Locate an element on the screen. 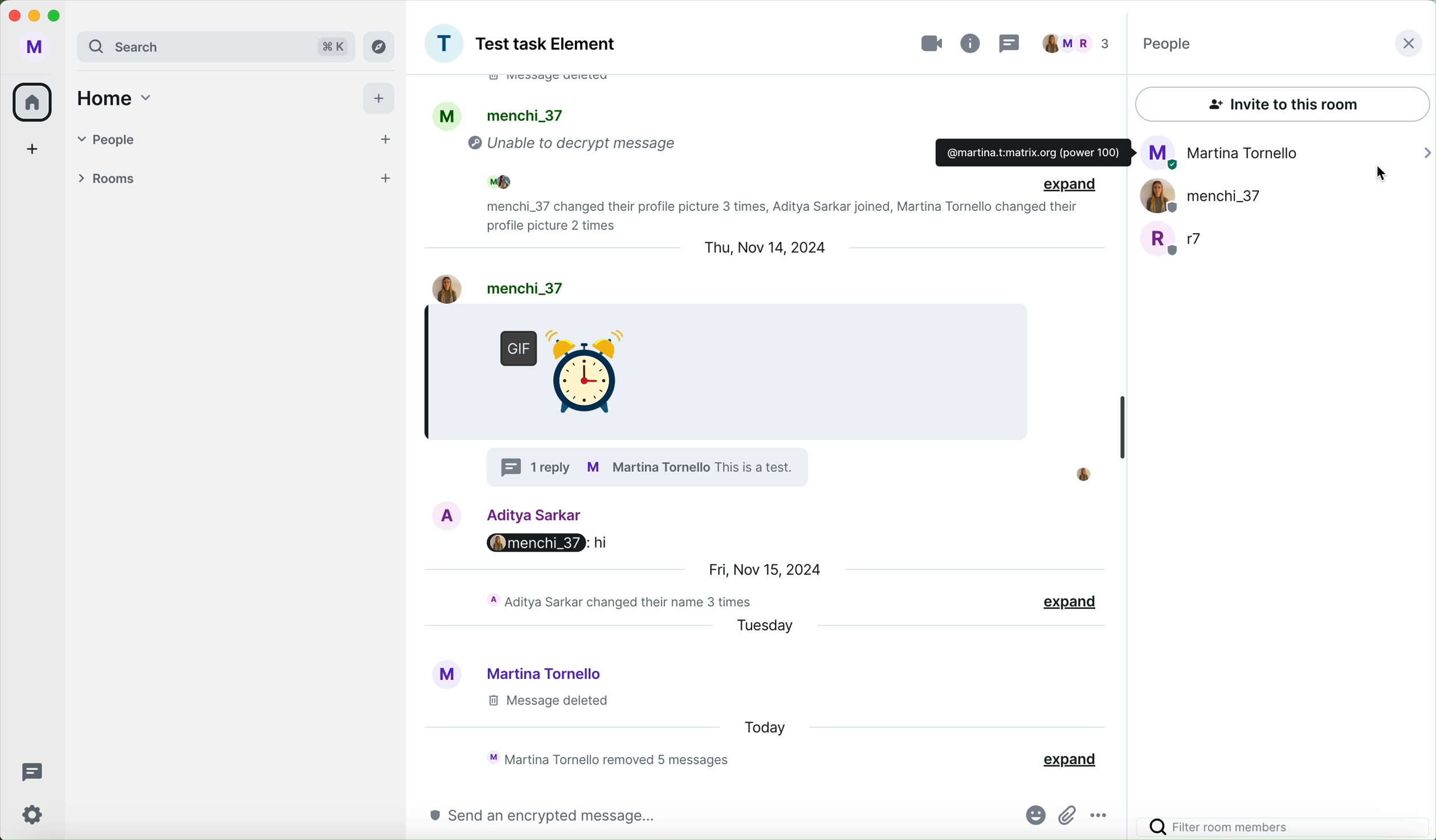 This screenshot has height=840, width=1436. text is located at coordinates (761, 468).